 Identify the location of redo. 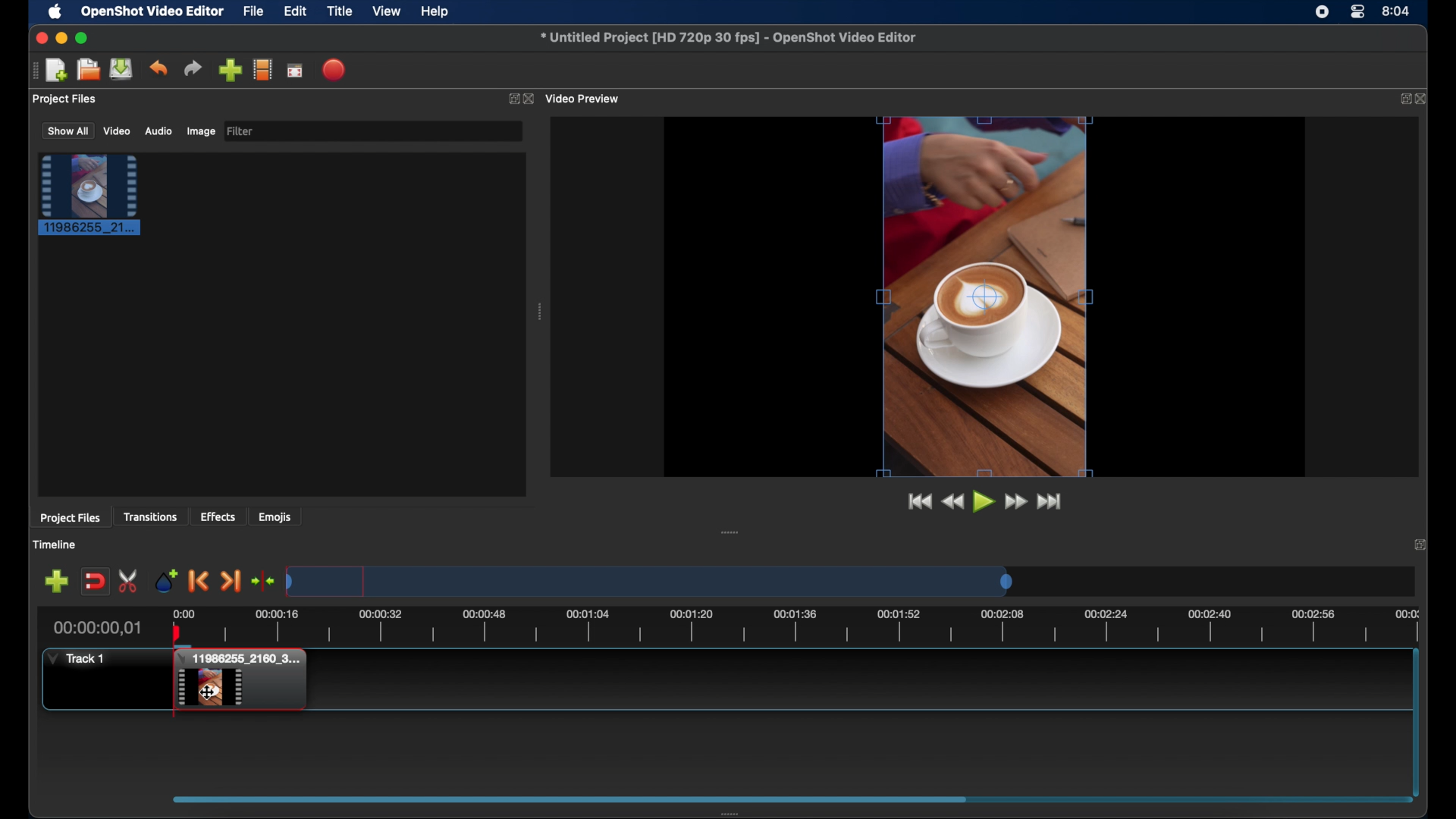
(193, 67).